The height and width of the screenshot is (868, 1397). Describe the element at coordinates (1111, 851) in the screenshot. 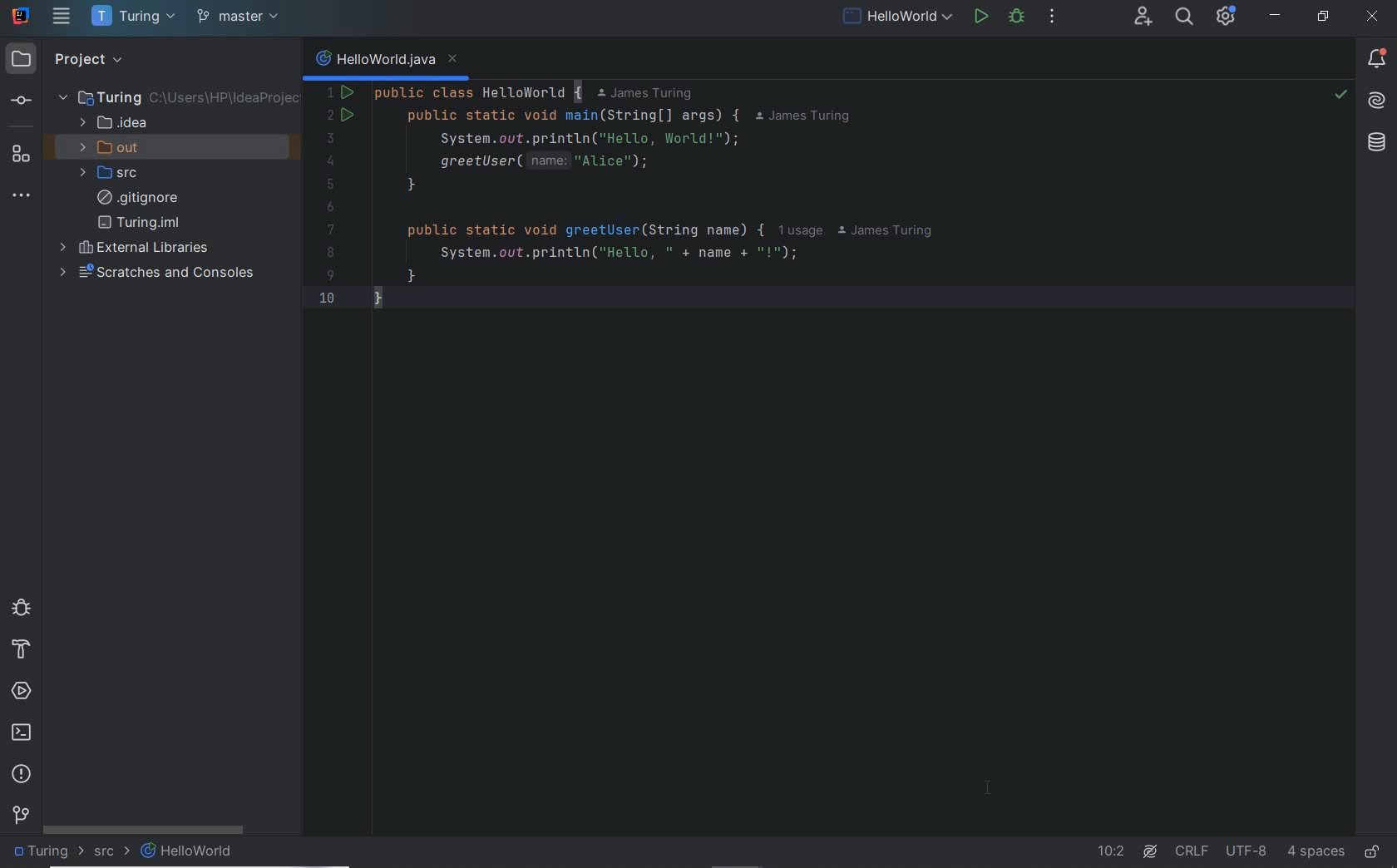

I see `go to line 10:2` at that location.